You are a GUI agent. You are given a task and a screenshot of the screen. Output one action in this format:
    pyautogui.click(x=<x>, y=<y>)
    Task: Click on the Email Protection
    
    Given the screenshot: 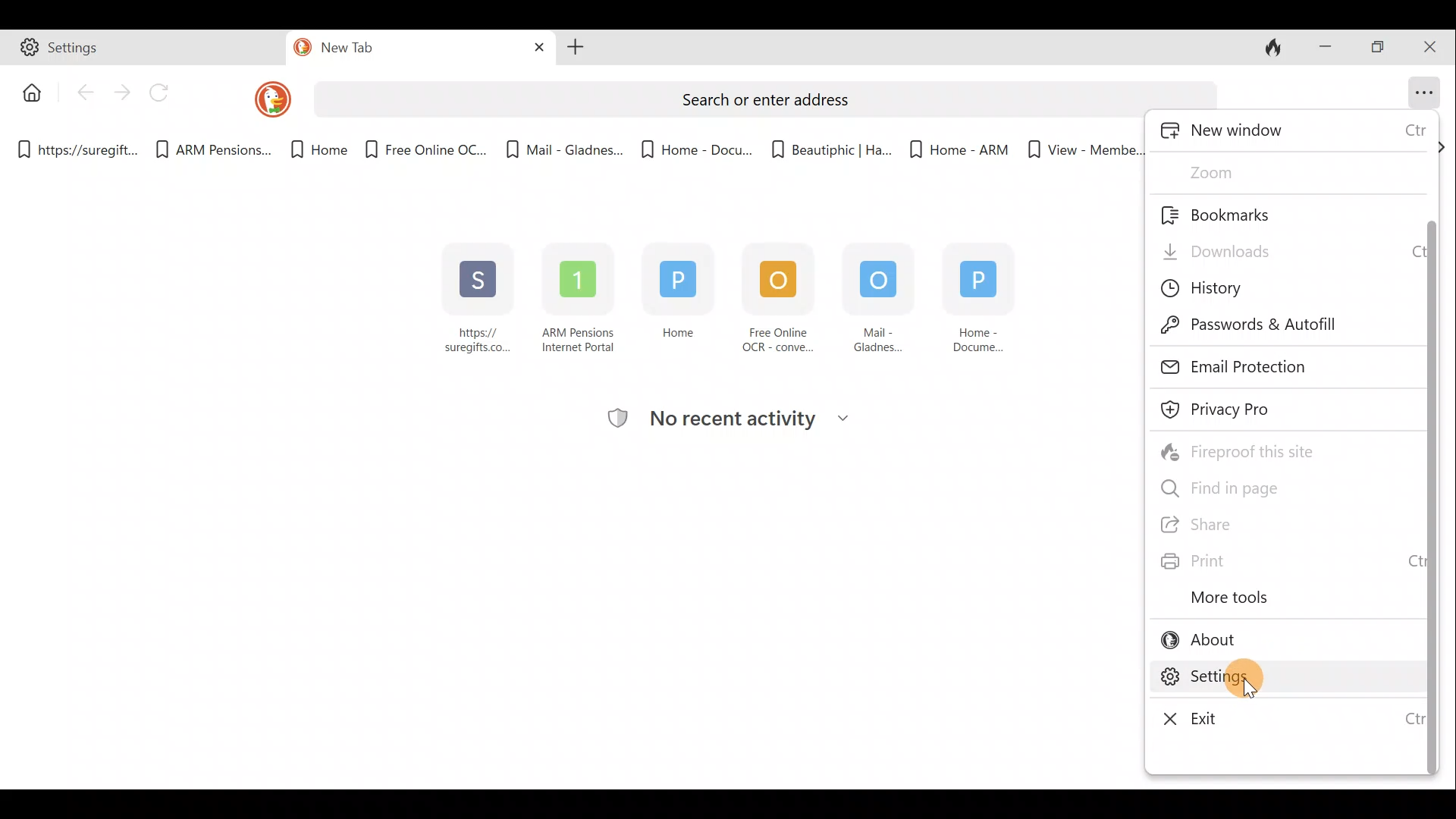 What is the action you would take?
    pyautogui.click(x=1241, y=369)
    